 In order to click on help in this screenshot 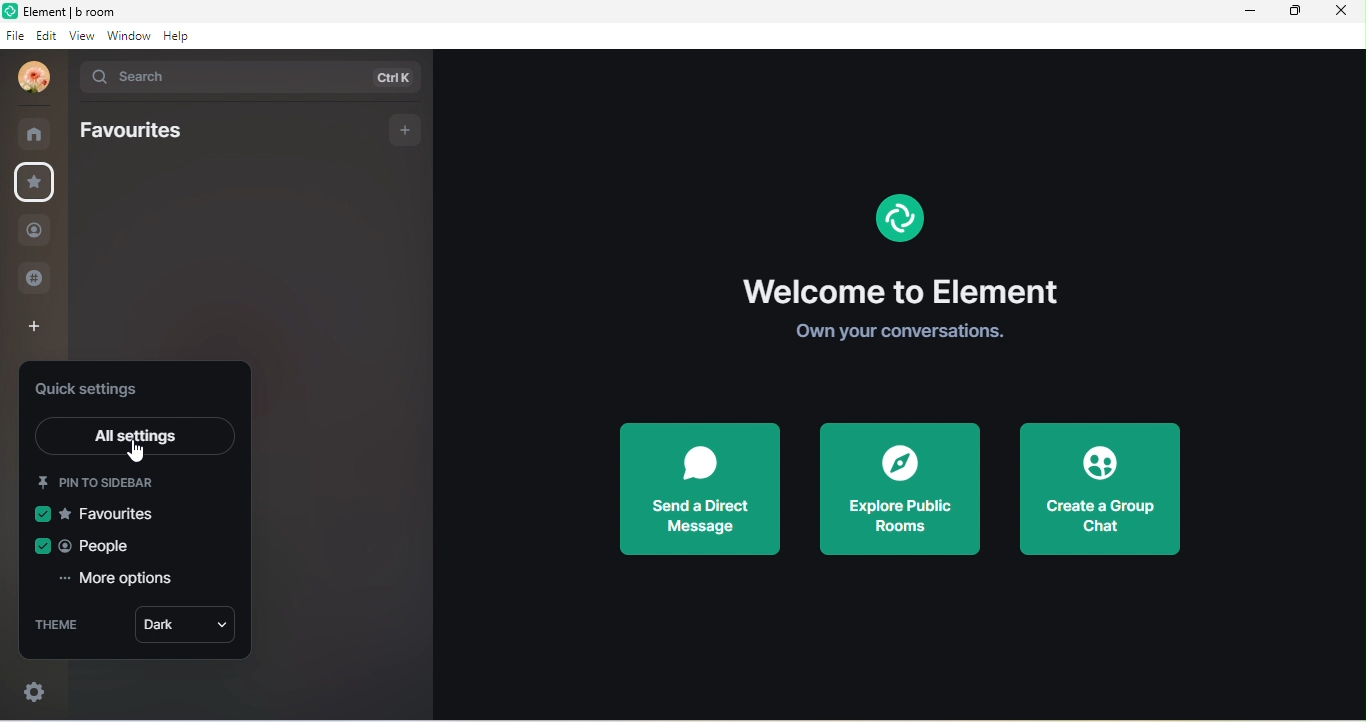, I will do `click(181, 36)`.